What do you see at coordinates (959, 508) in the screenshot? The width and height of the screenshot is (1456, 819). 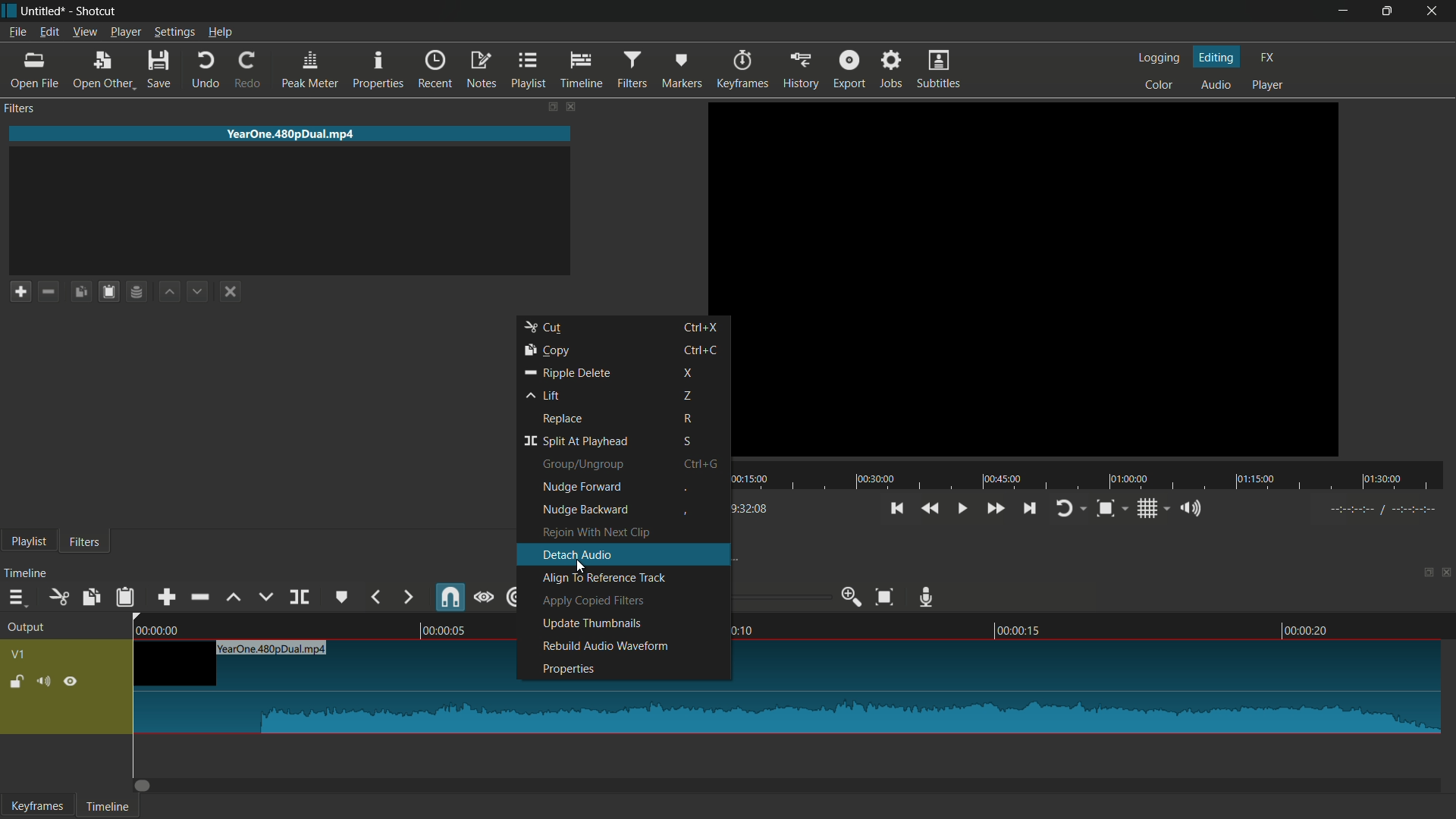 I see `toggle play or pause` at bounding box center [959, 508].